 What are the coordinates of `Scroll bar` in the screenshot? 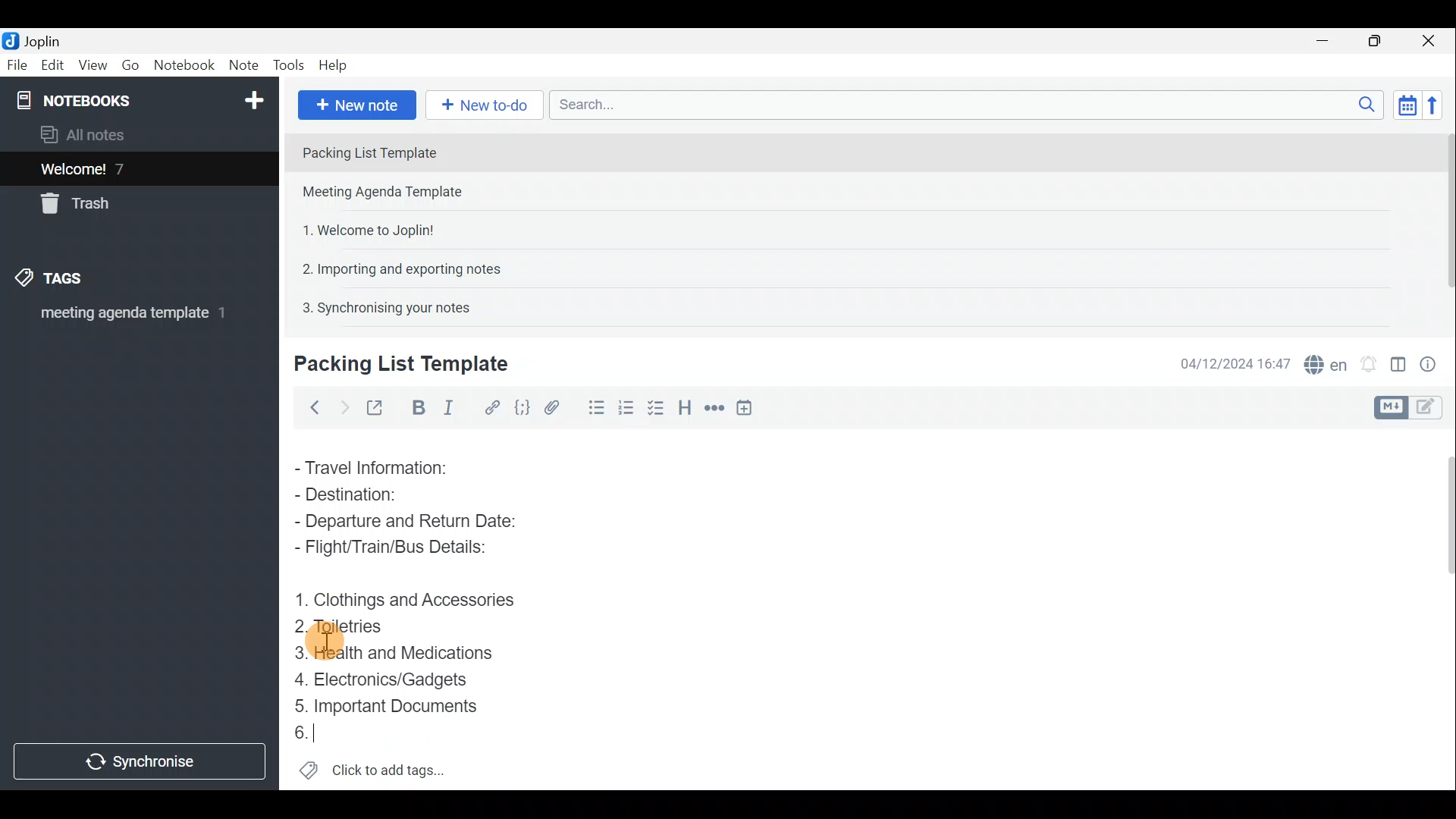 It's located at (1442, 221).